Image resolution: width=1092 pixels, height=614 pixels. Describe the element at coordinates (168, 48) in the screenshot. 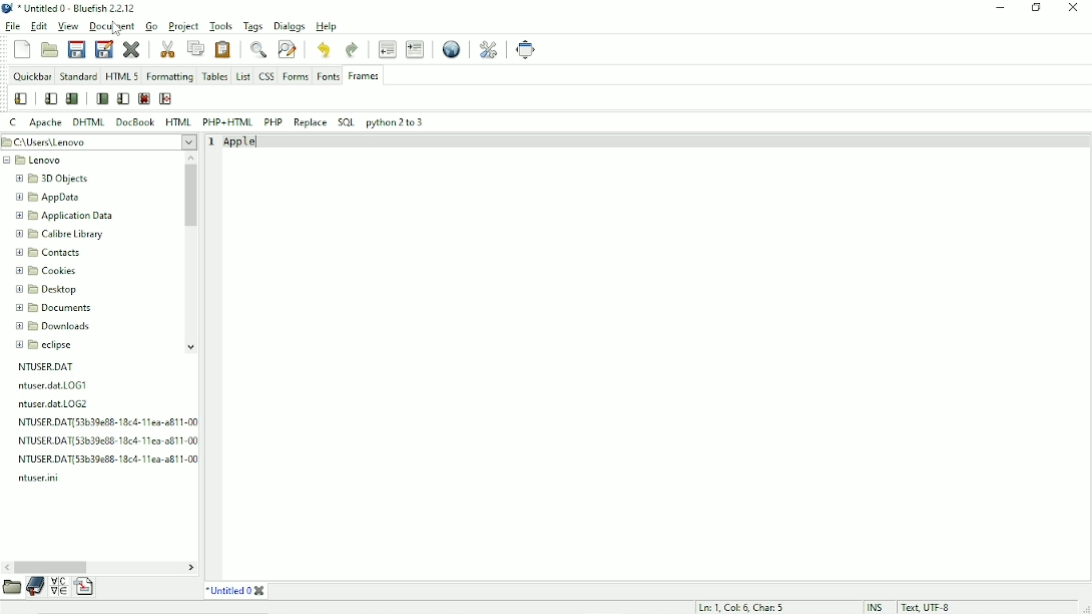

I see `Cut` at that location.